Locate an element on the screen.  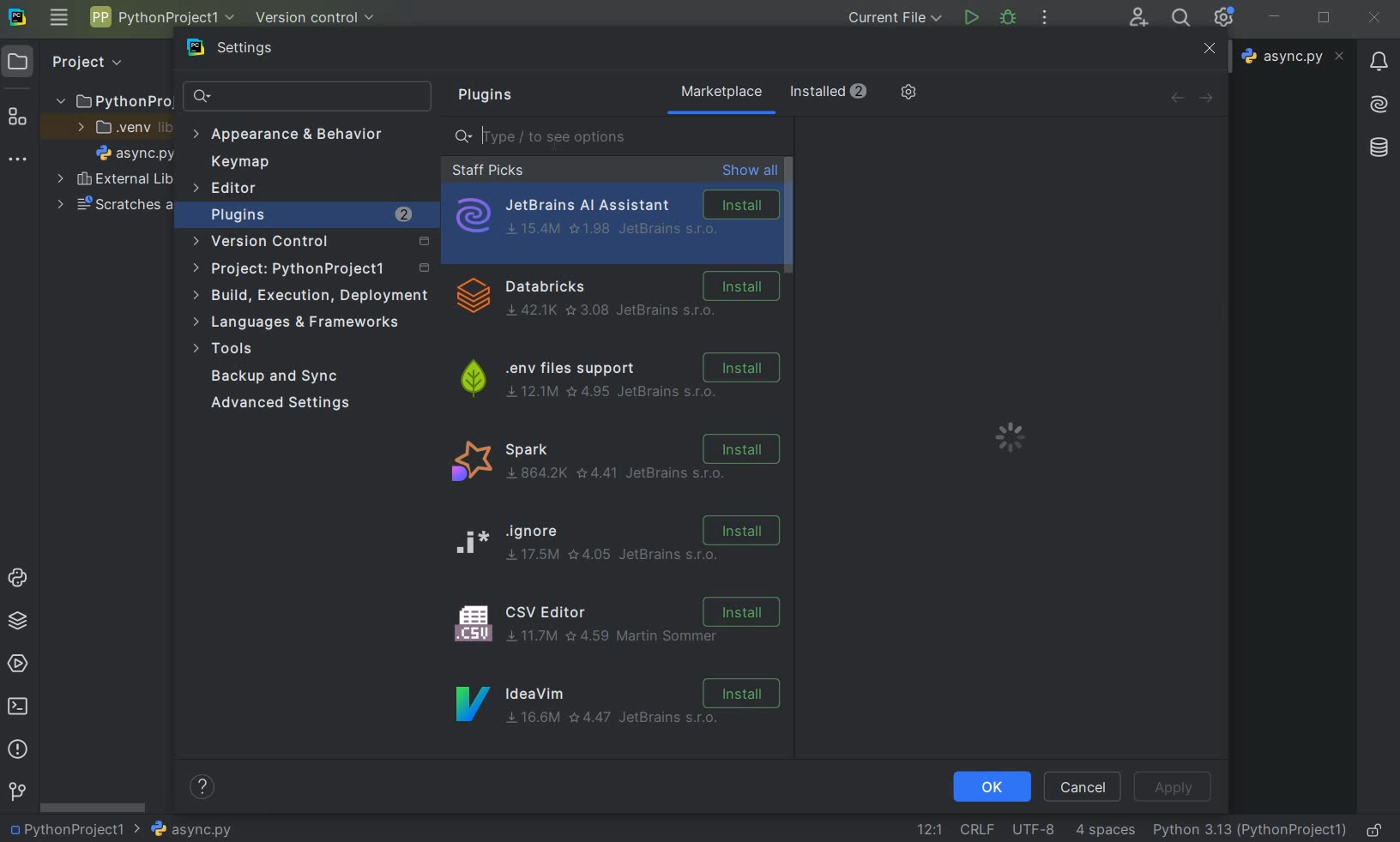
main menu is located at coordinates (59, 21).